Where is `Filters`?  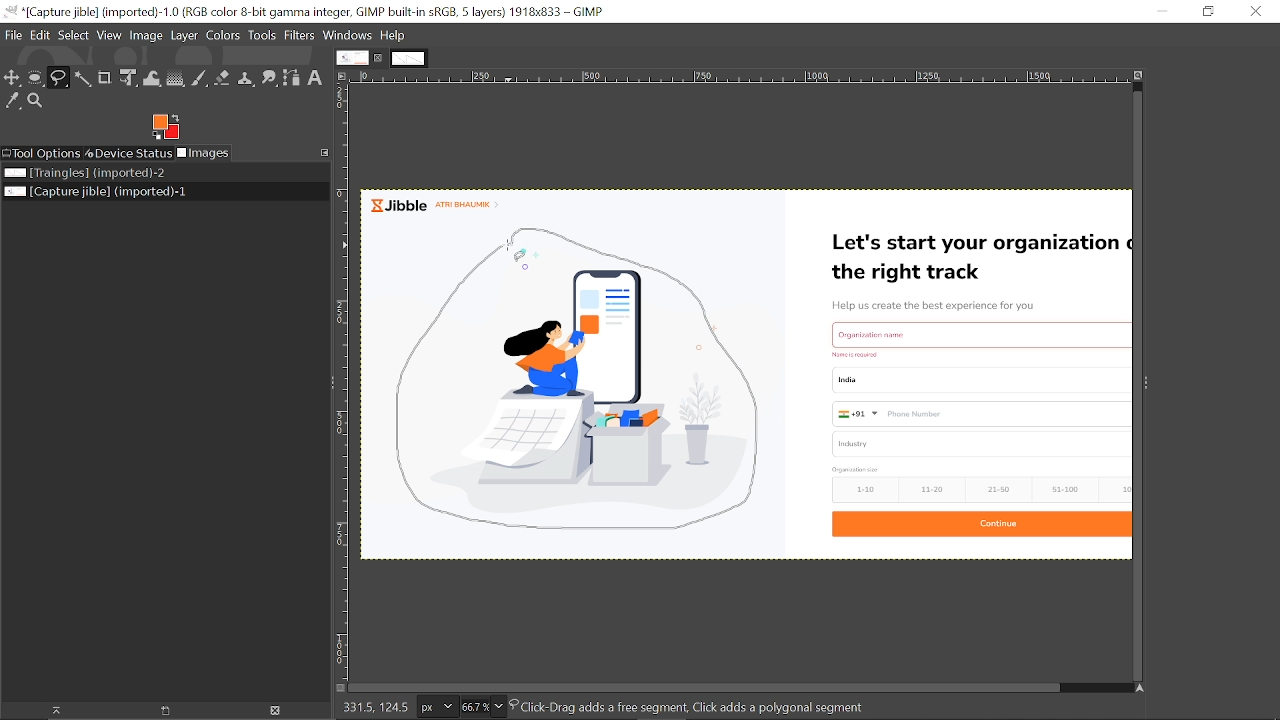
Filters is located at coordinates (301, 37).